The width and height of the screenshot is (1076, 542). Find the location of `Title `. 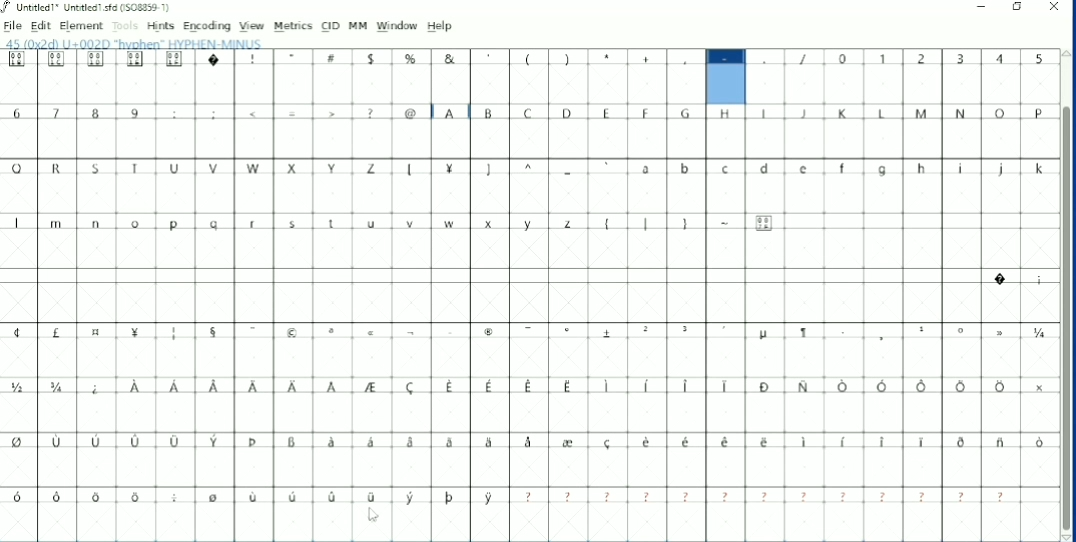

Title  is located at coordinates (89, 8).